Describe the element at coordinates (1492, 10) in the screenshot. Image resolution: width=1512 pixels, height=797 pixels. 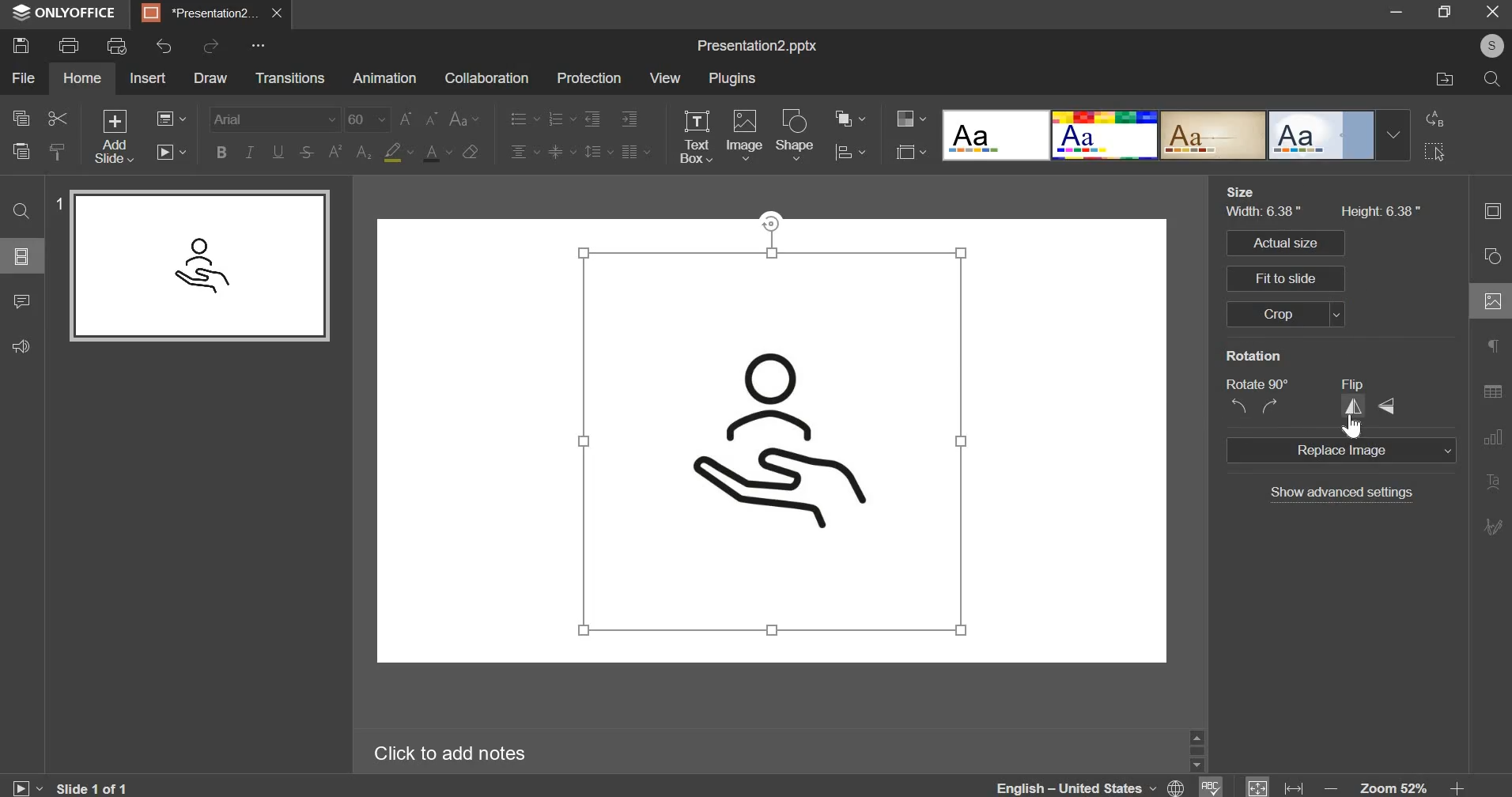
I see `exit` at that location.